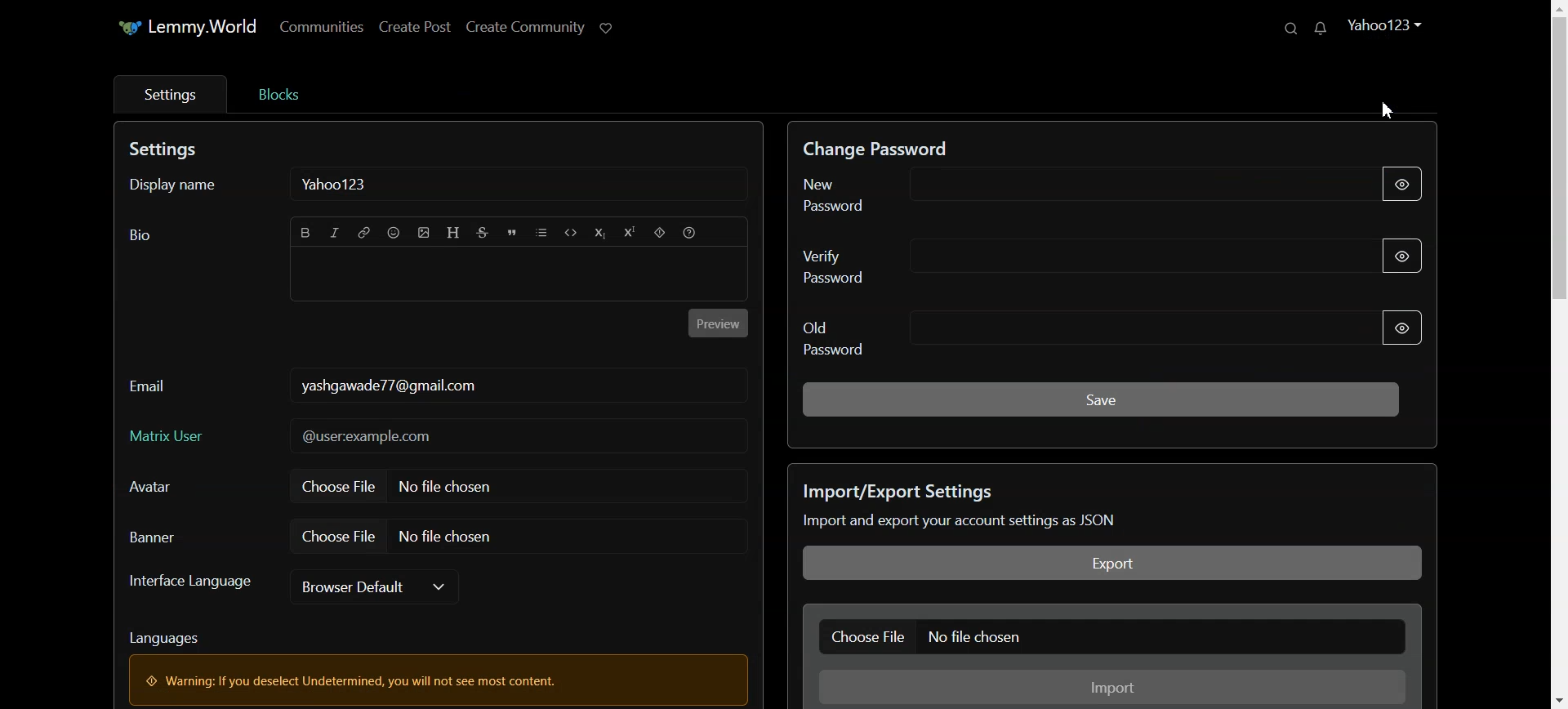 This screenshot has width=1568, height=709. I want to click on Interface Language, so click(190, 586).